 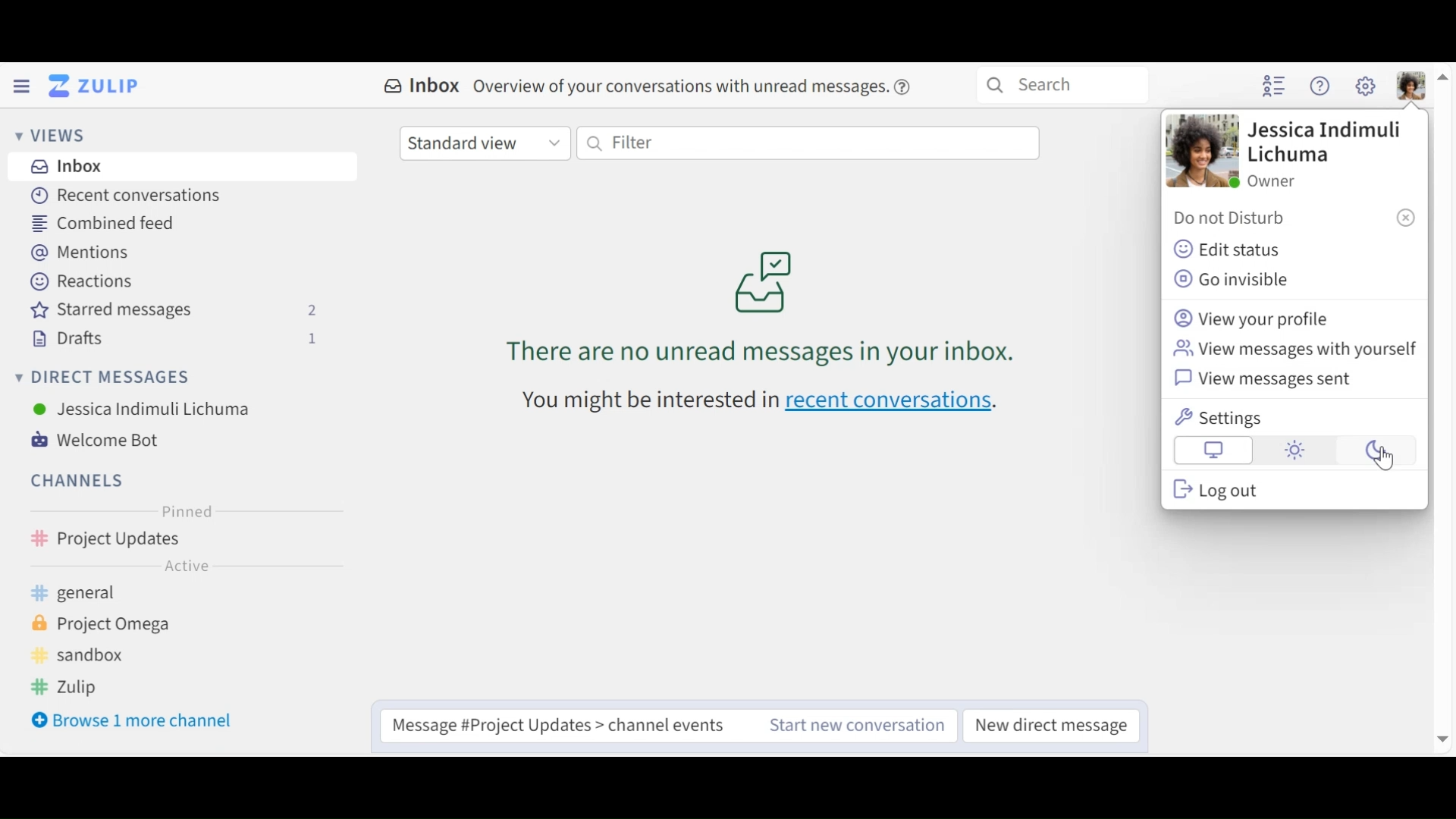 What do you see at coordinates (1382, 459) in the screenshot?
I see `Cursor` at bounding box center [1382, 459].